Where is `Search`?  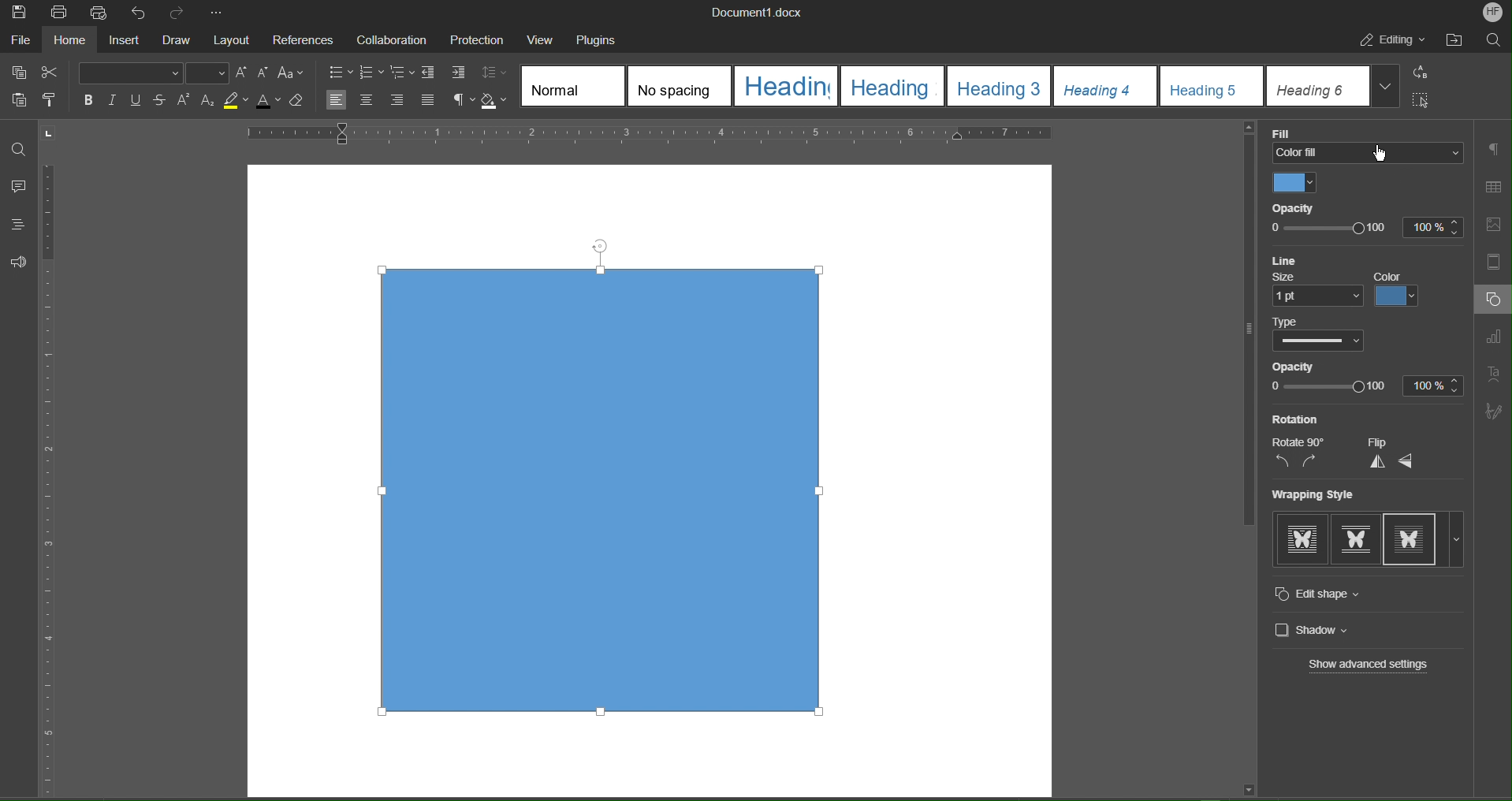
Search is located at coordinates (1496, 40).